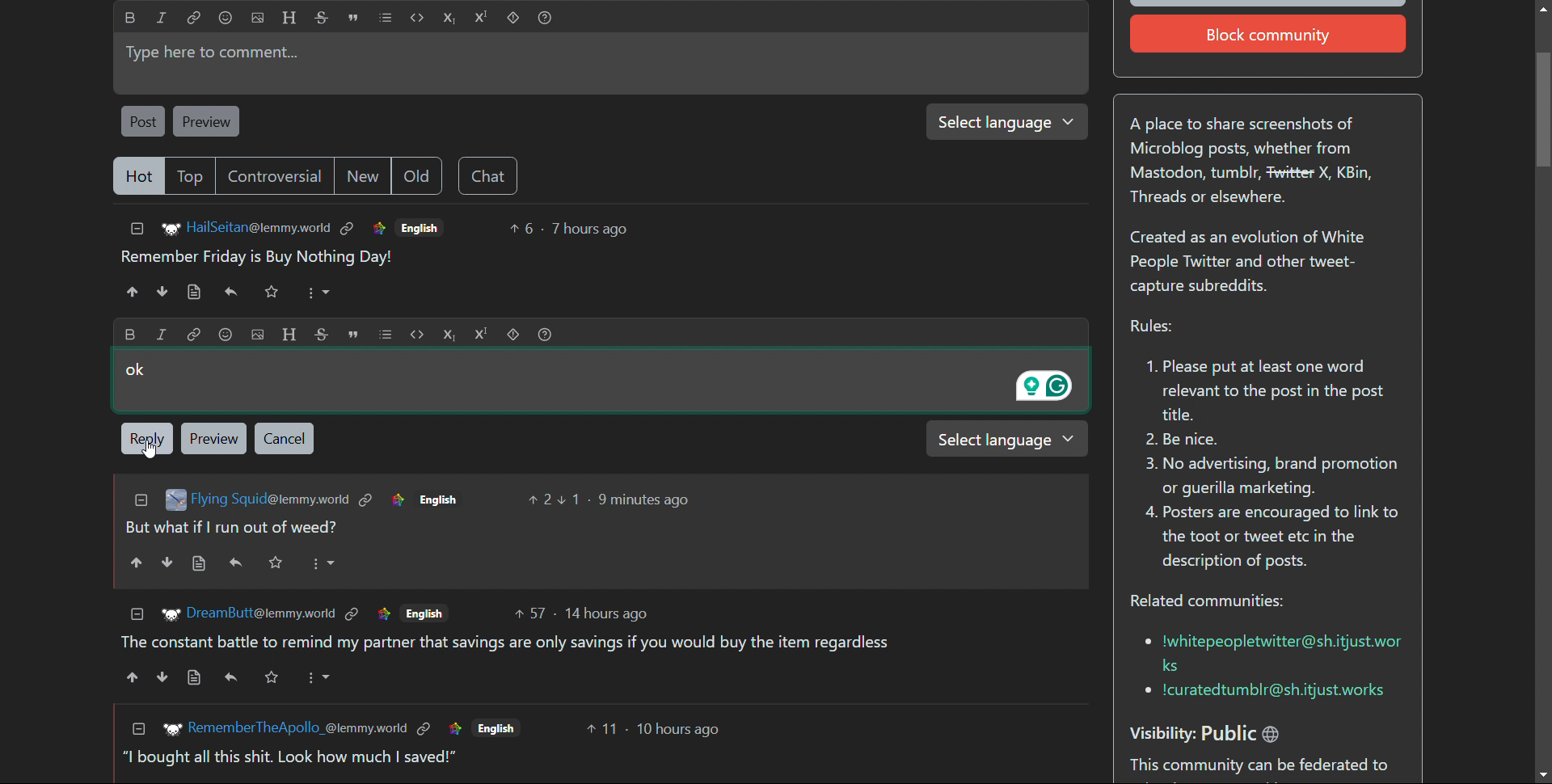  I want to click on Favorite, so click(273, 677).